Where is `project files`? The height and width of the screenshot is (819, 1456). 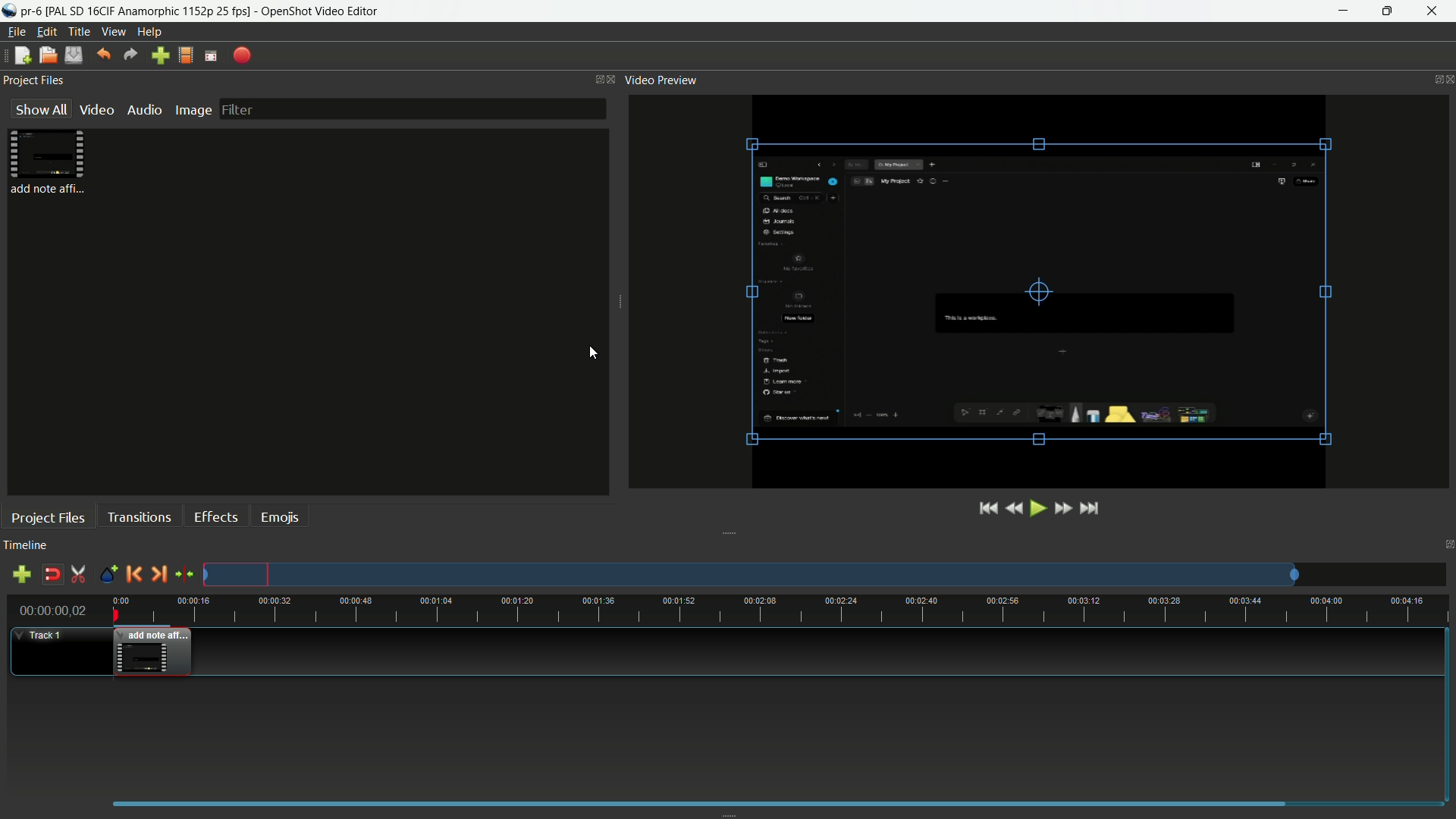 project files is located at coordinates (35, 80).